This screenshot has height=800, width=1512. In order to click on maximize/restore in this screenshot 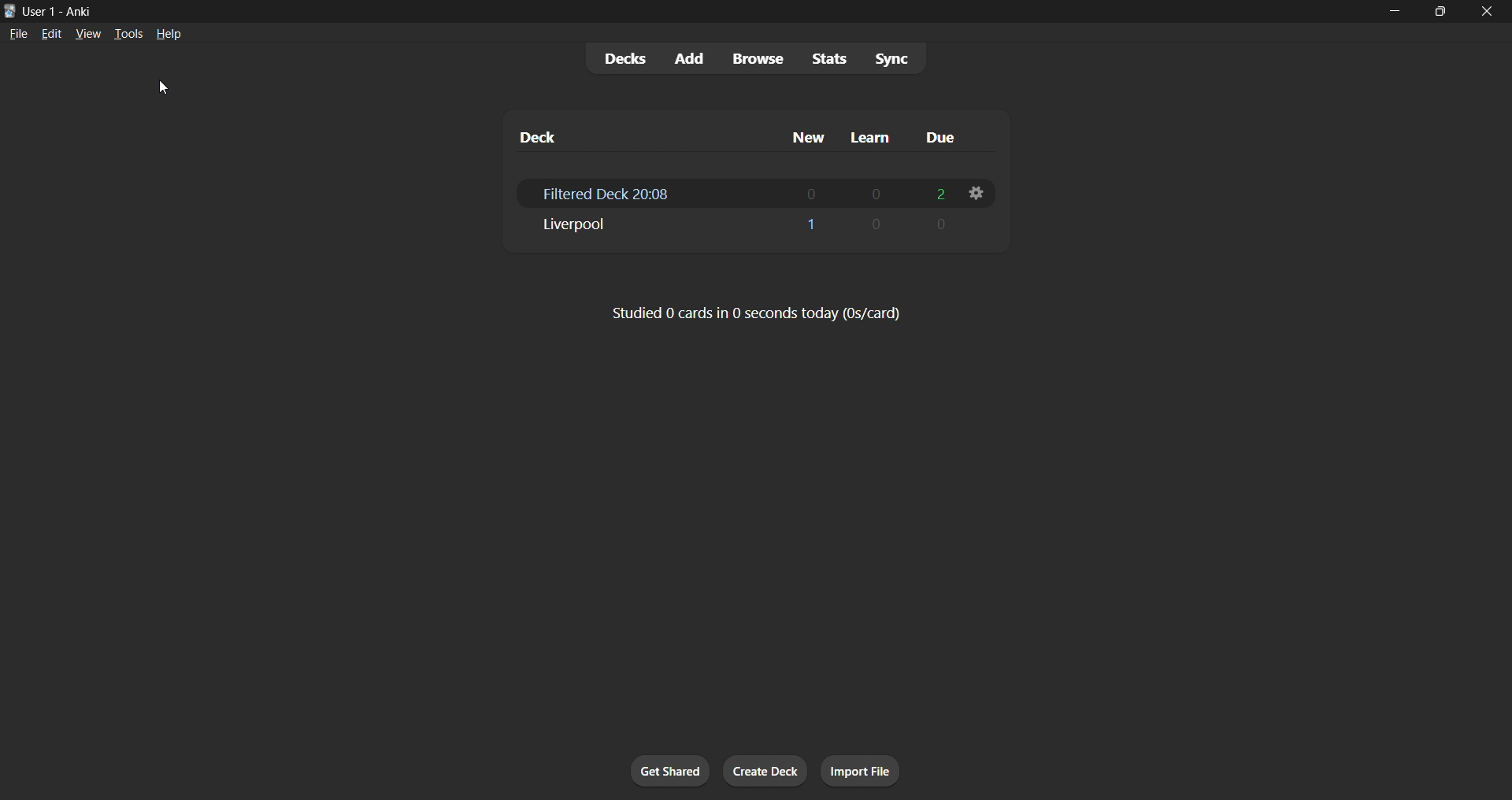, I will do `click(1441, 10)`.